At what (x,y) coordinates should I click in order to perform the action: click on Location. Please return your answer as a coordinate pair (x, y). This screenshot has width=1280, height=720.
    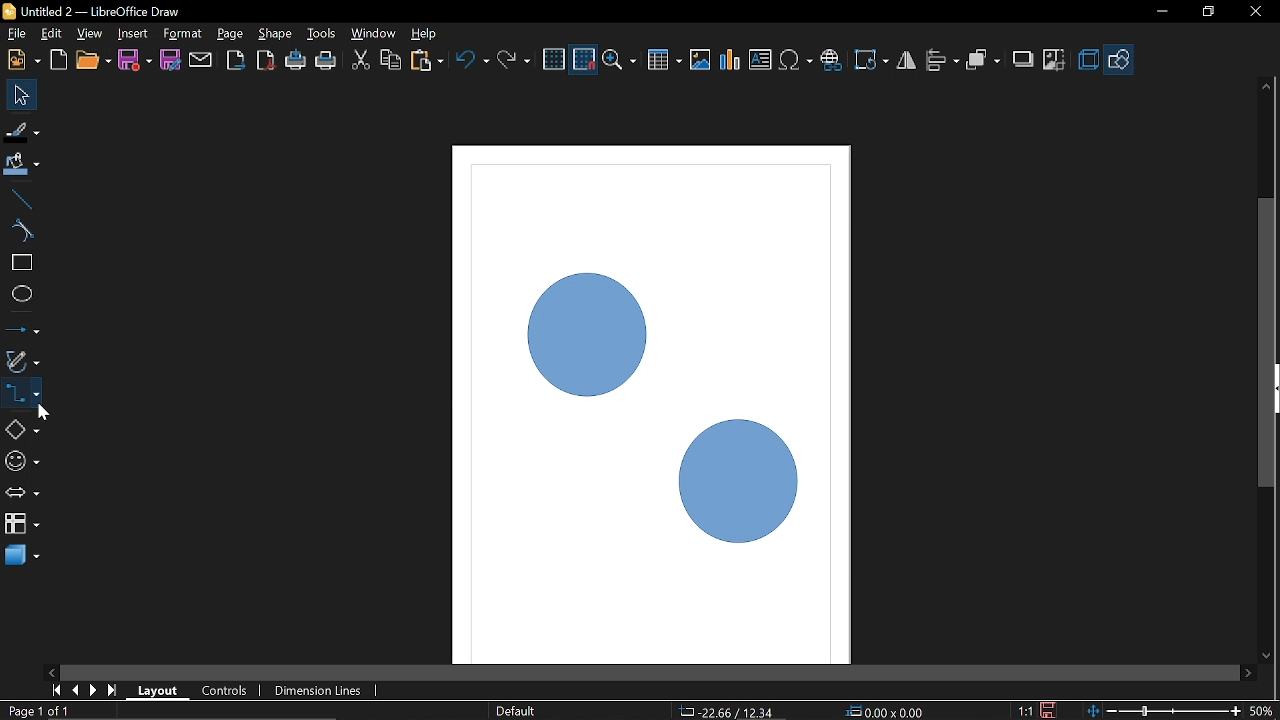
    Looking at the image, I should click on (888, 711).